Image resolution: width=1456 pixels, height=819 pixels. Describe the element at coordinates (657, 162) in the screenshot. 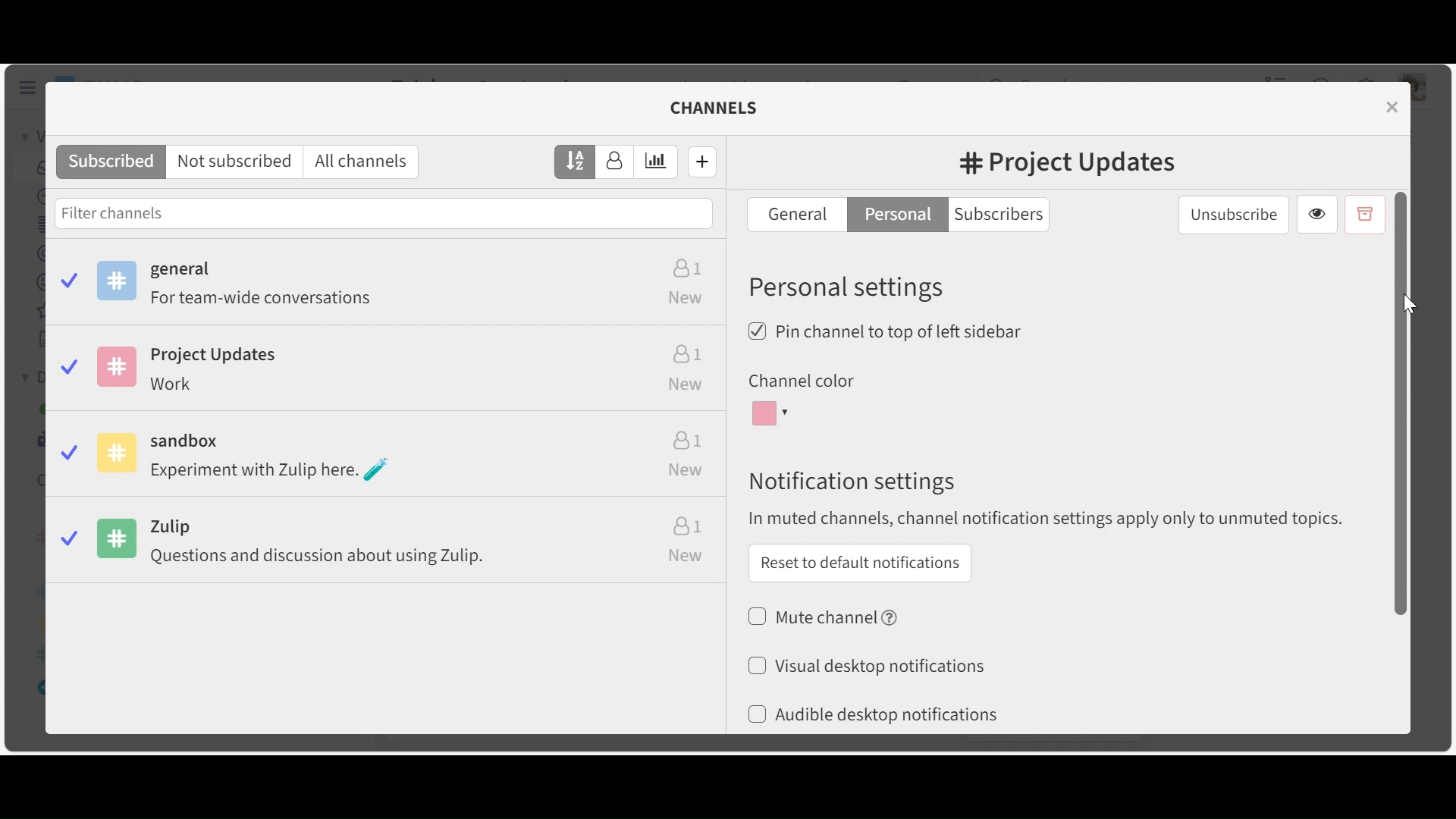

I see `Sort by estimated weekly traffic` at that location.